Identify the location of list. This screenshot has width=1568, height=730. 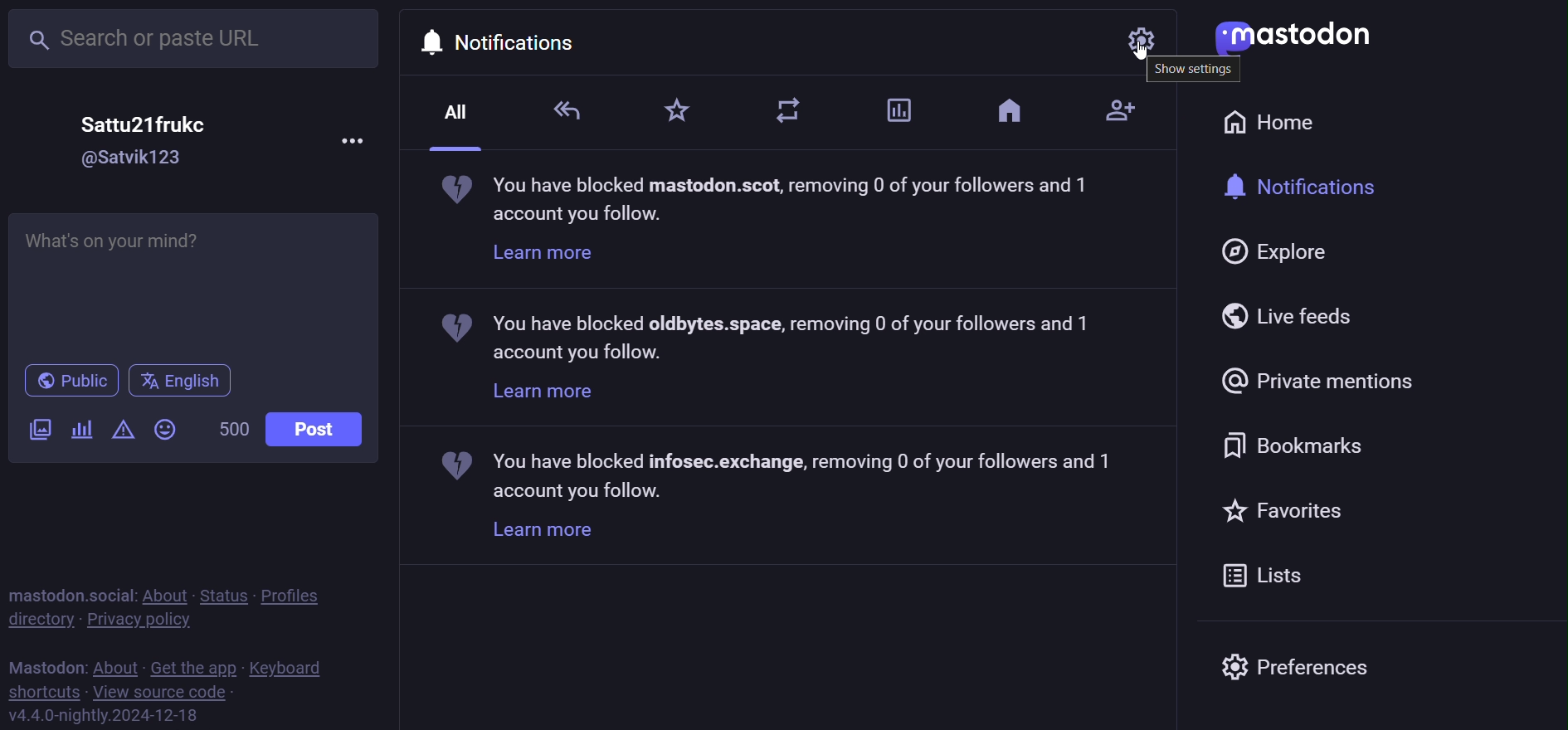
(1265, 573).